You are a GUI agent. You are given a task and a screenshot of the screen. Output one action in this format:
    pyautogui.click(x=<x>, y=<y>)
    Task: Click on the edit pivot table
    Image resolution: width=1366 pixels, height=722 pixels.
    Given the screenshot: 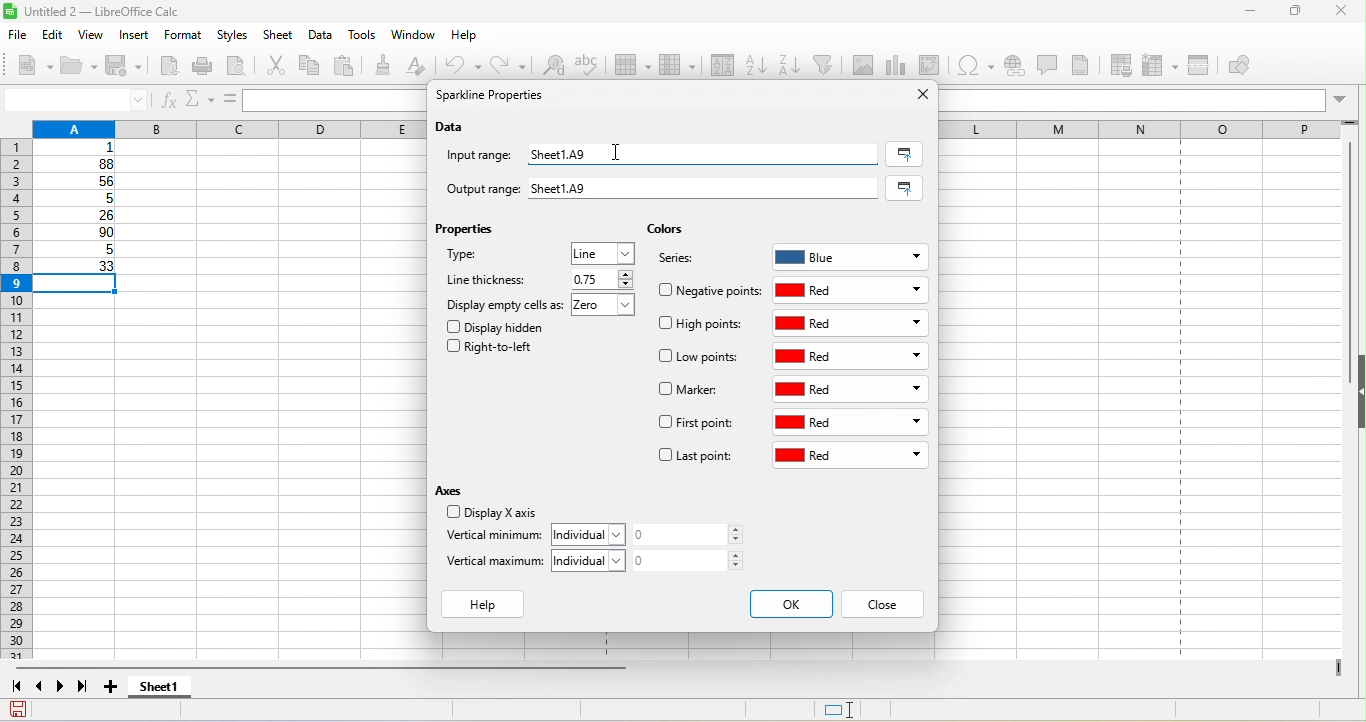 What is the action you would take?
    pyautogui.click(x=934, y=65)
    